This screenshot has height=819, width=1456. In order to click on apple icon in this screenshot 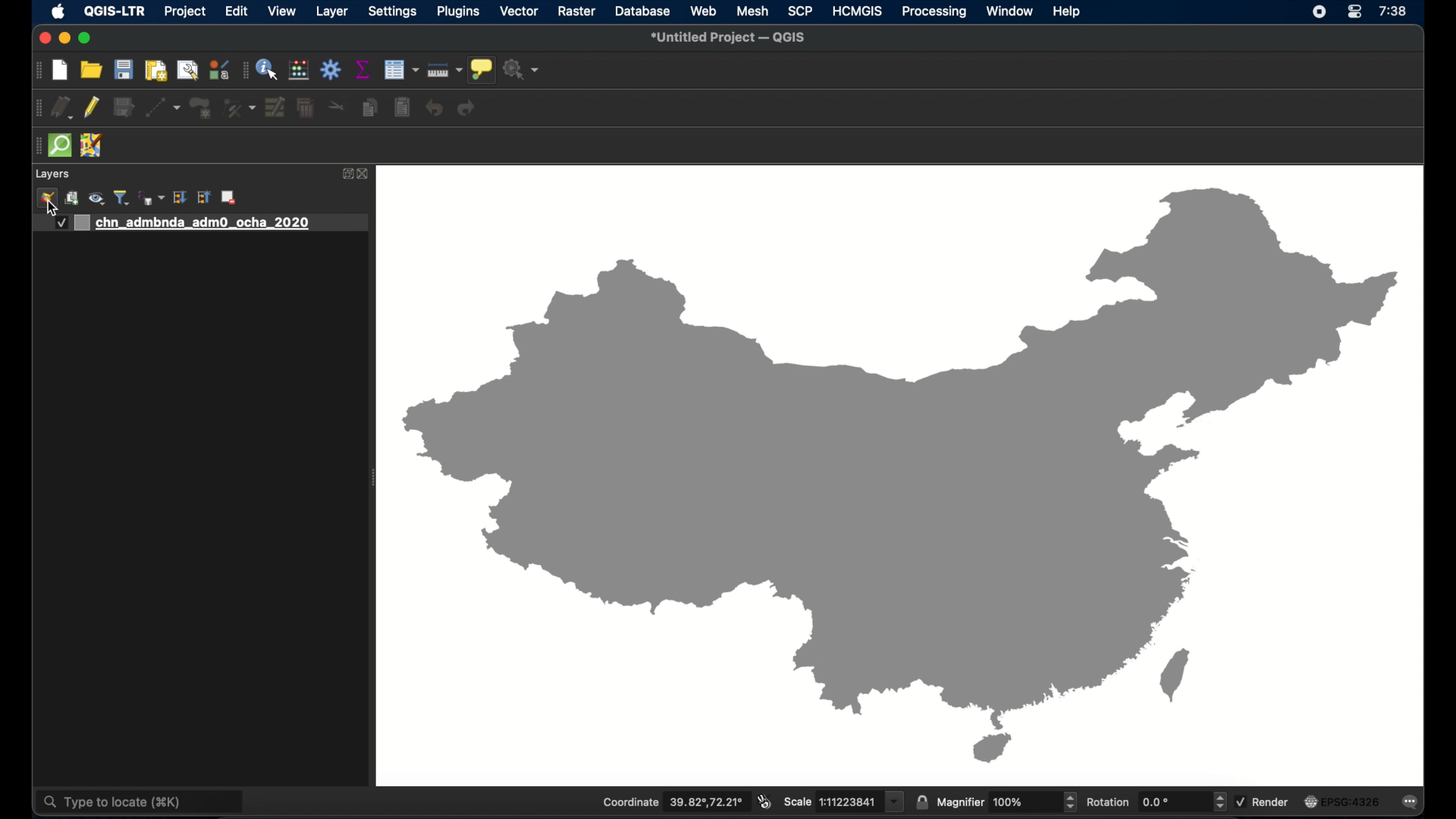, I will do `click(59, 13)`.